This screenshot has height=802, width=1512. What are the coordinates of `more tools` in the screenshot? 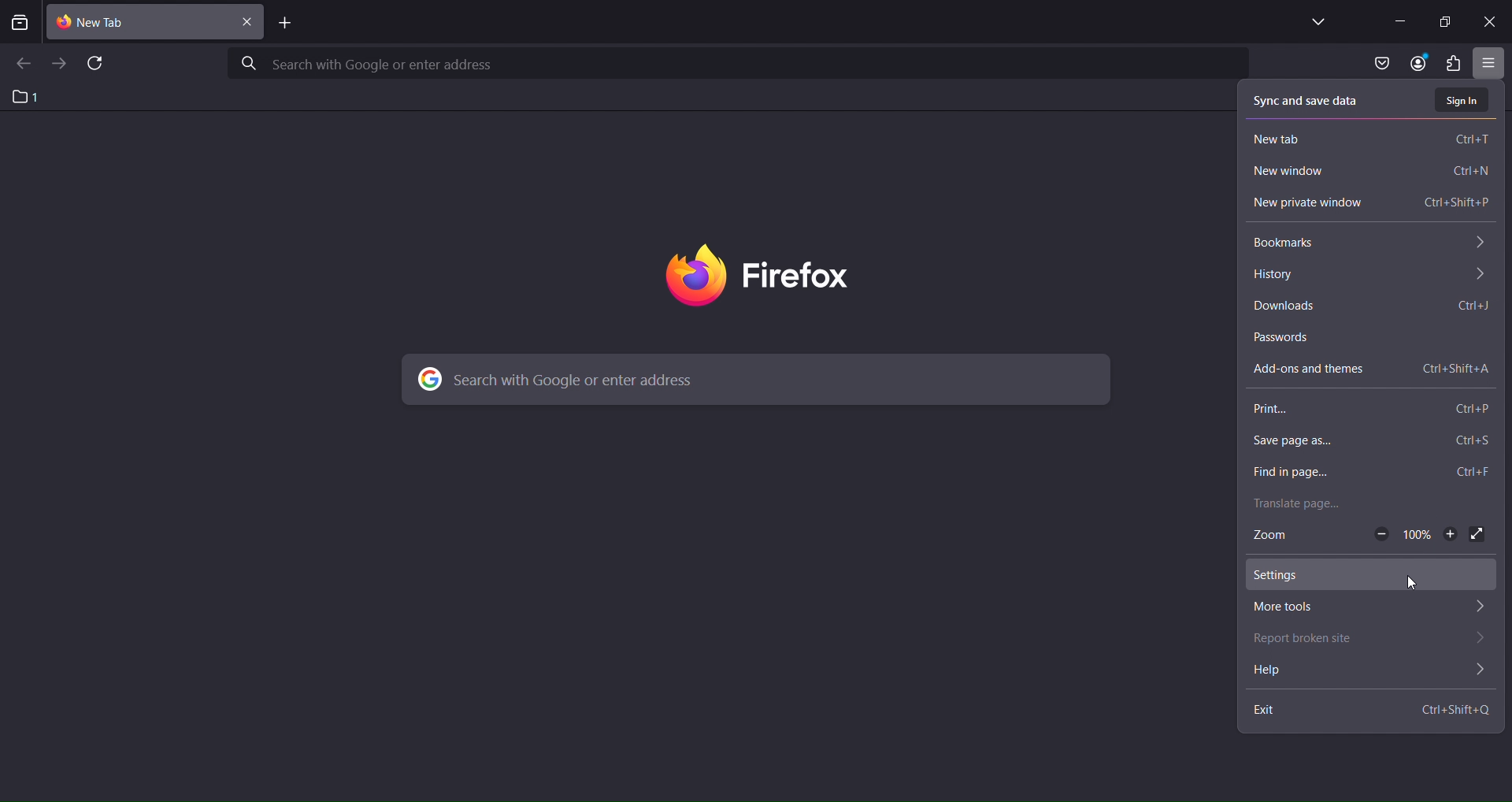 It's located at (1372, 606).